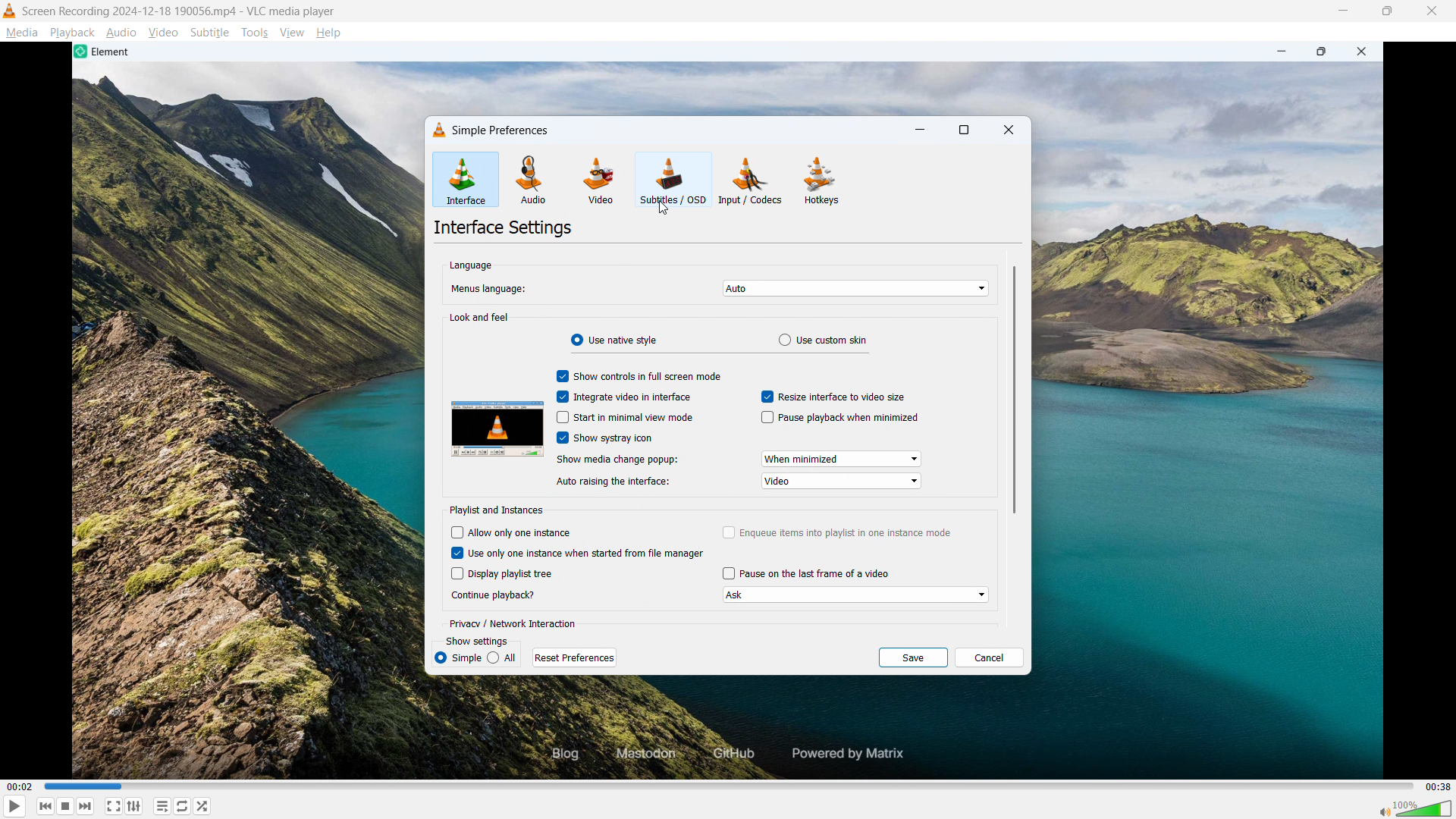 The height and width of the screenshot is (819, 1456). I want to click on checkbox, so click(453, 552).